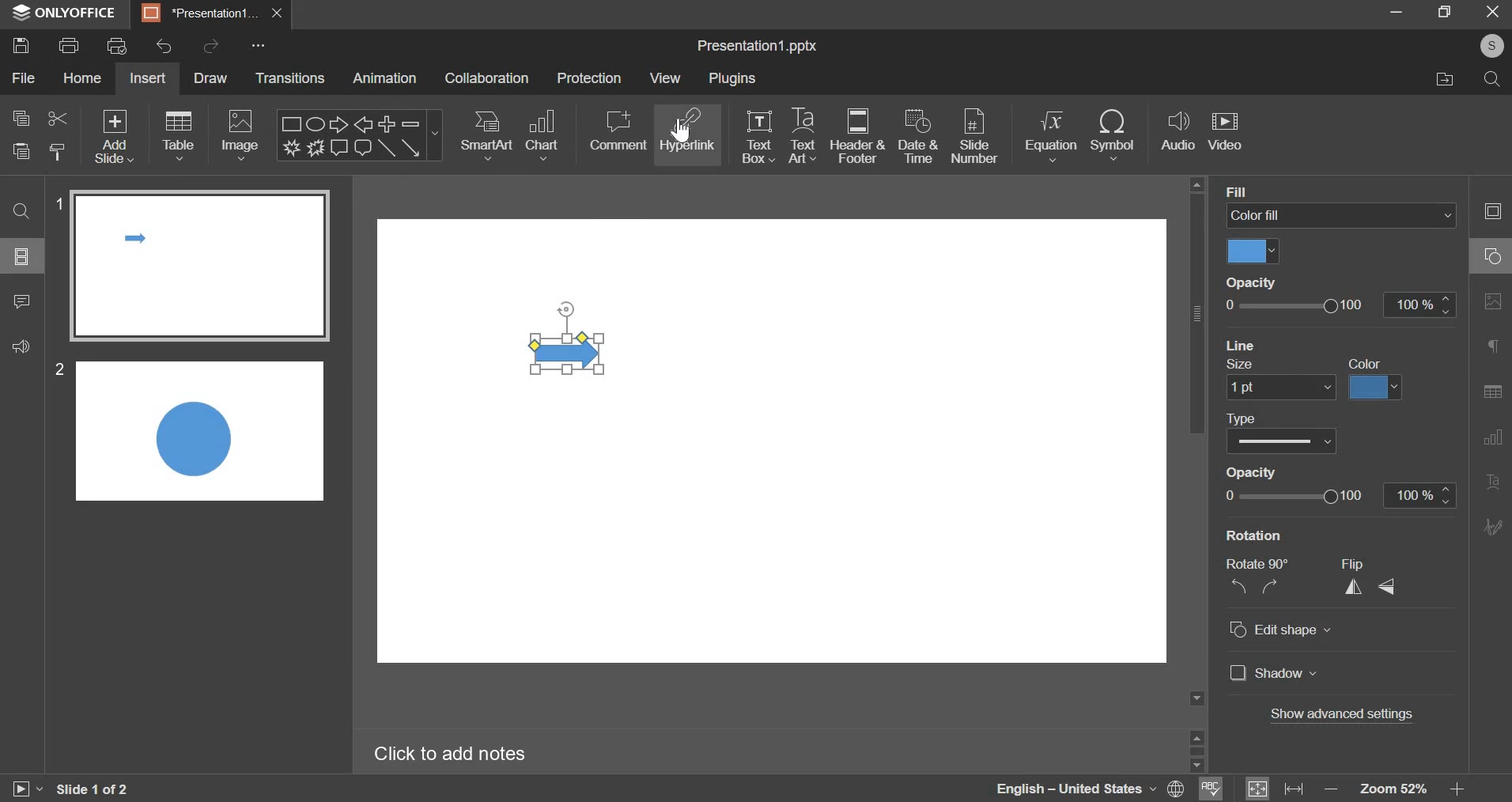  I want to click on exit, so click(1493, 11).